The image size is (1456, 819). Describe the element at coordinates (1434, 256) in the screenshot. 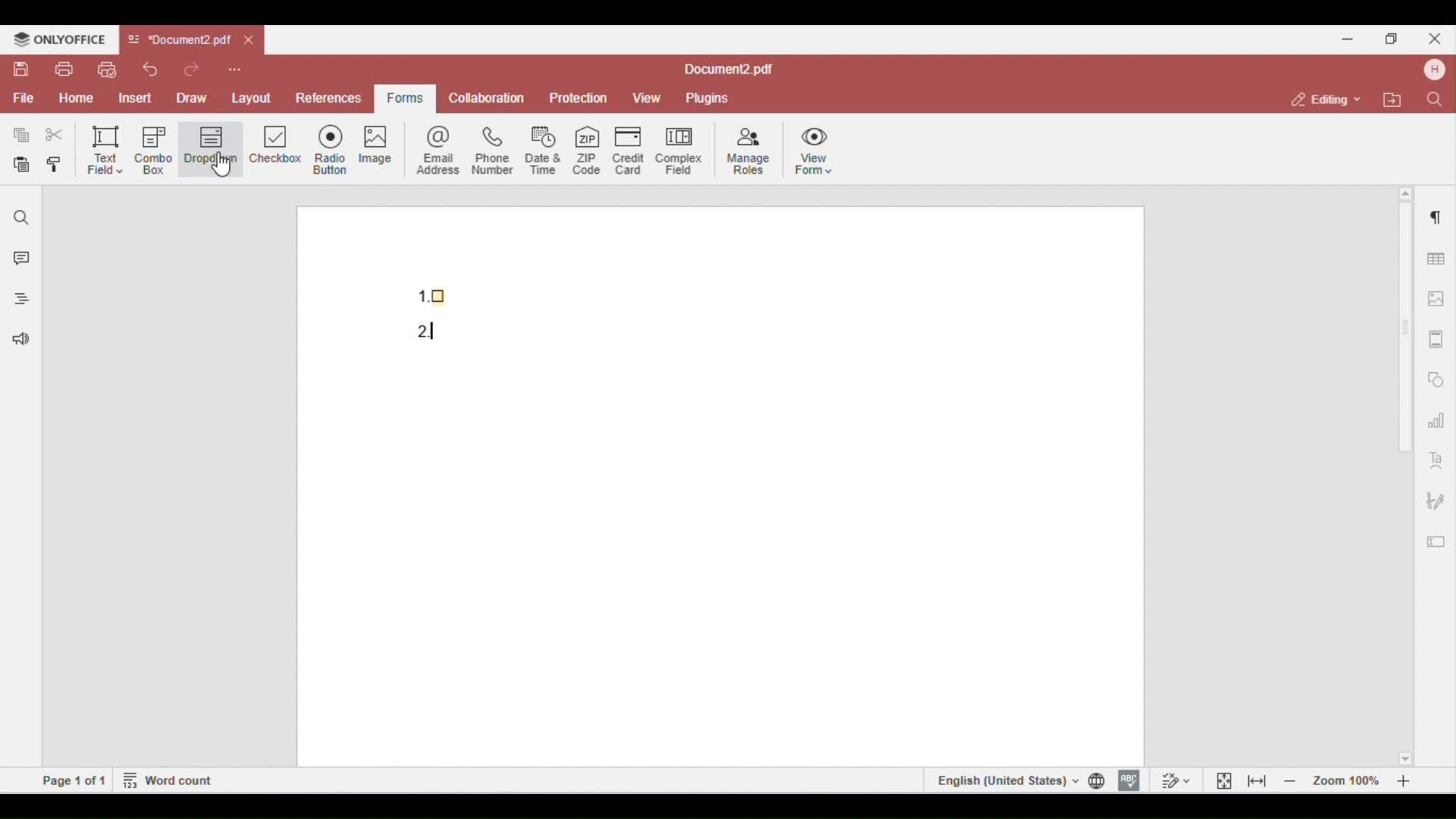

I see `table settings` at that location.